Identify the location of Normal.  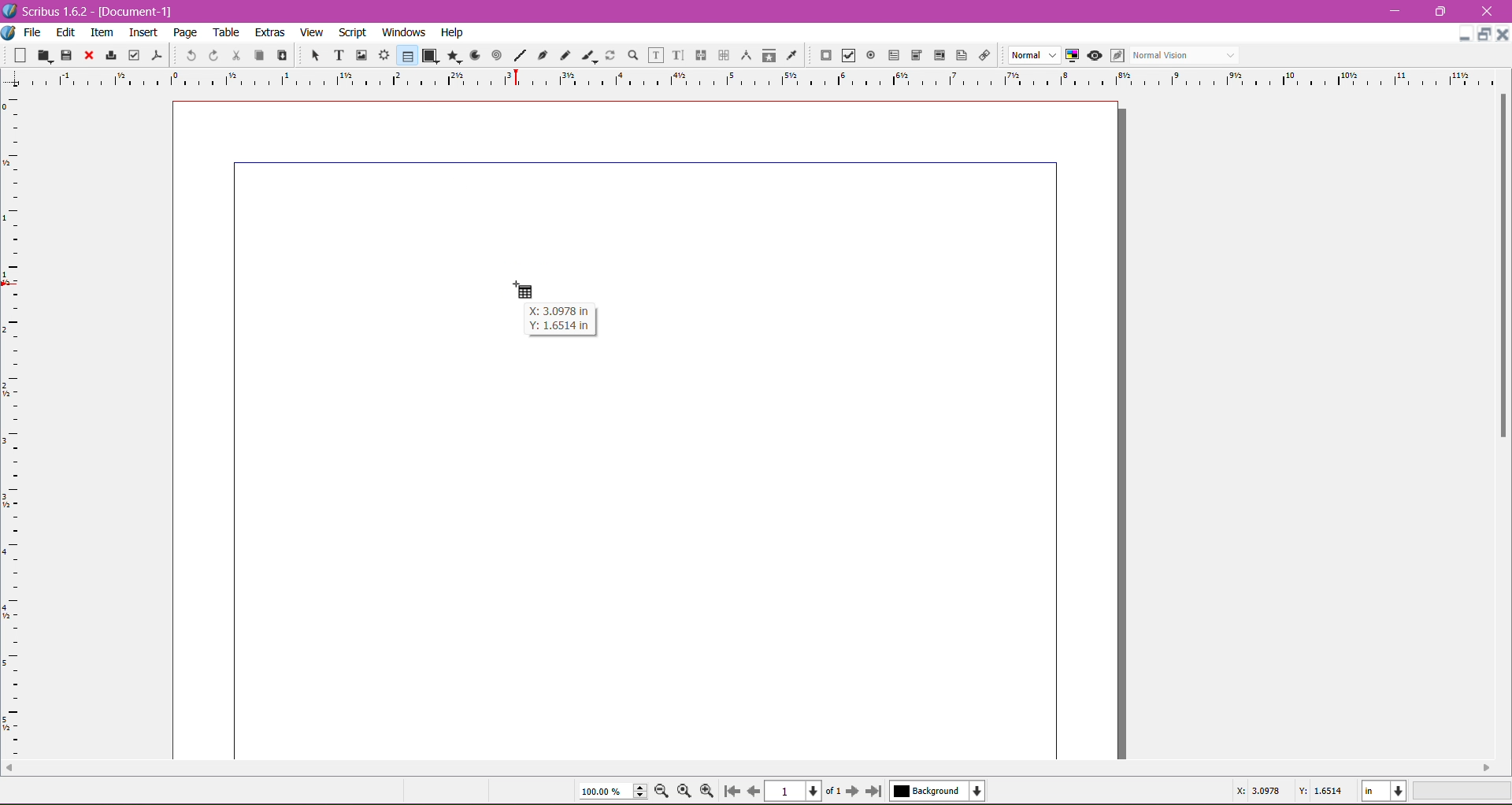
(1032, 56).